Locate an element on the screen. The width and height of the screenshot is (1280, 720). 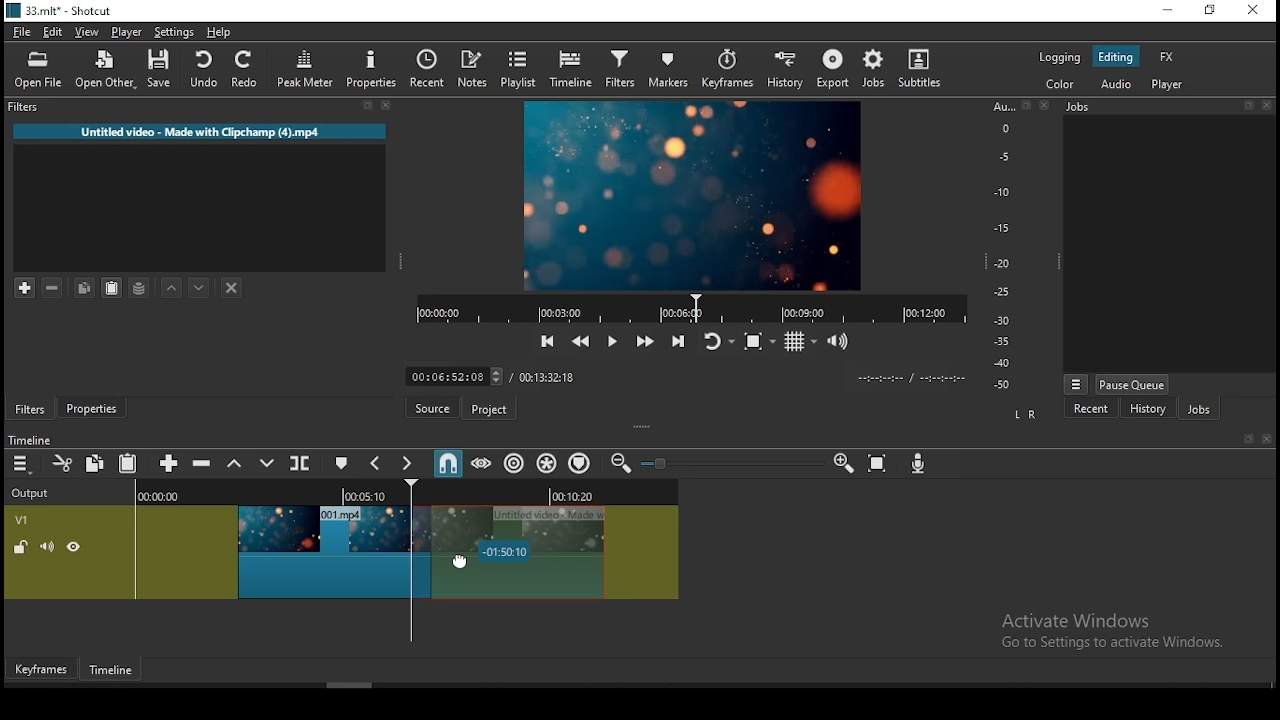
help is located at coordinates (219, 30).